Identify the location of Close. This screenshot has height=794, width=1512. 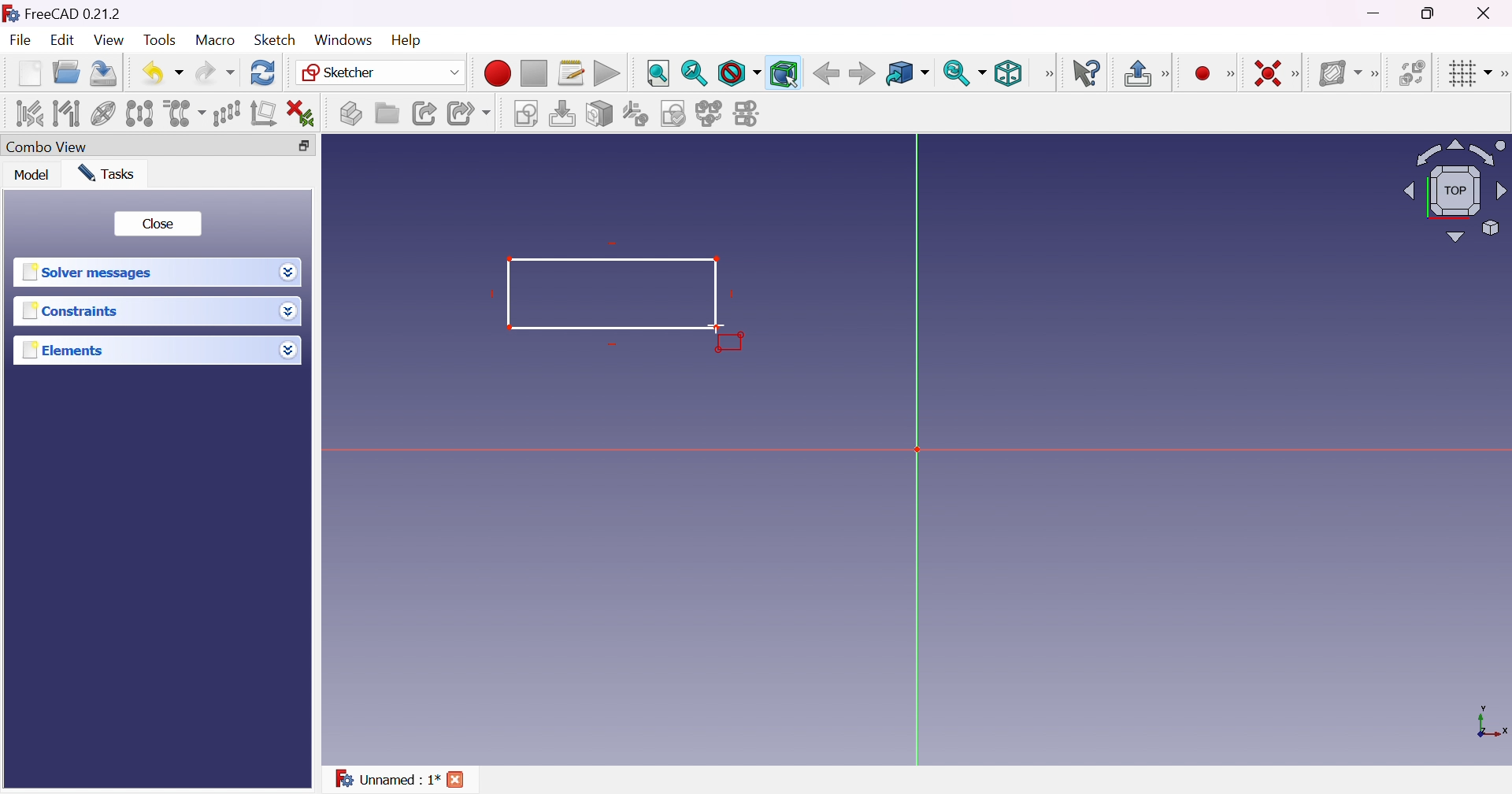
(158, 225).